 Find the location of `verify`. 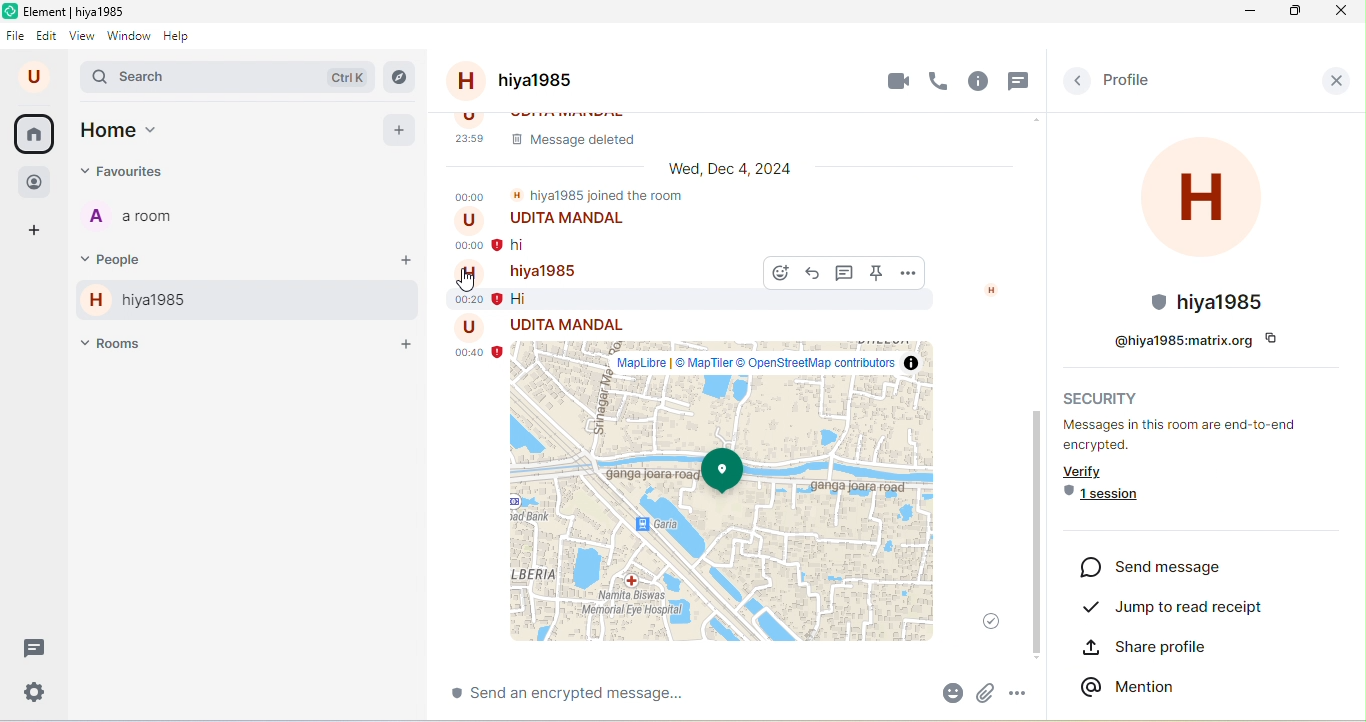

verify is located at coordinates (1099, 471).